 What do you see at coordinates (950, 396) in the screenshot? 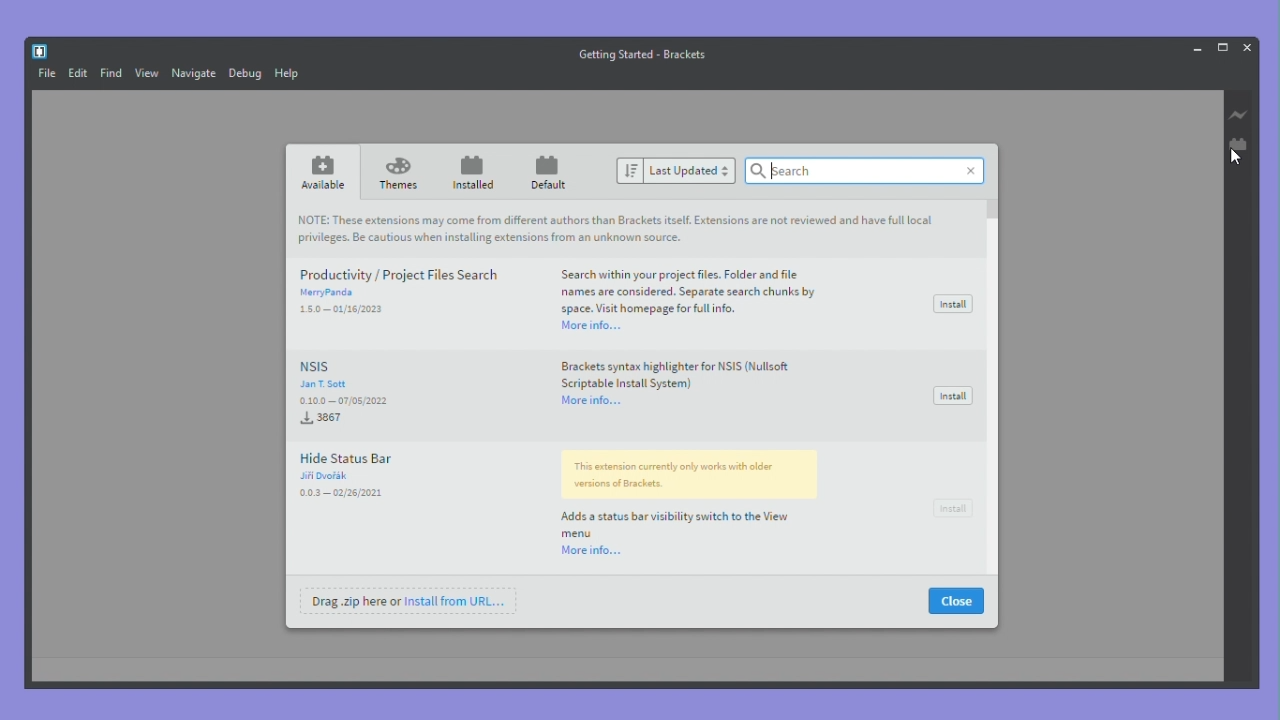
I see `Install` at bounding box center [950, 396].